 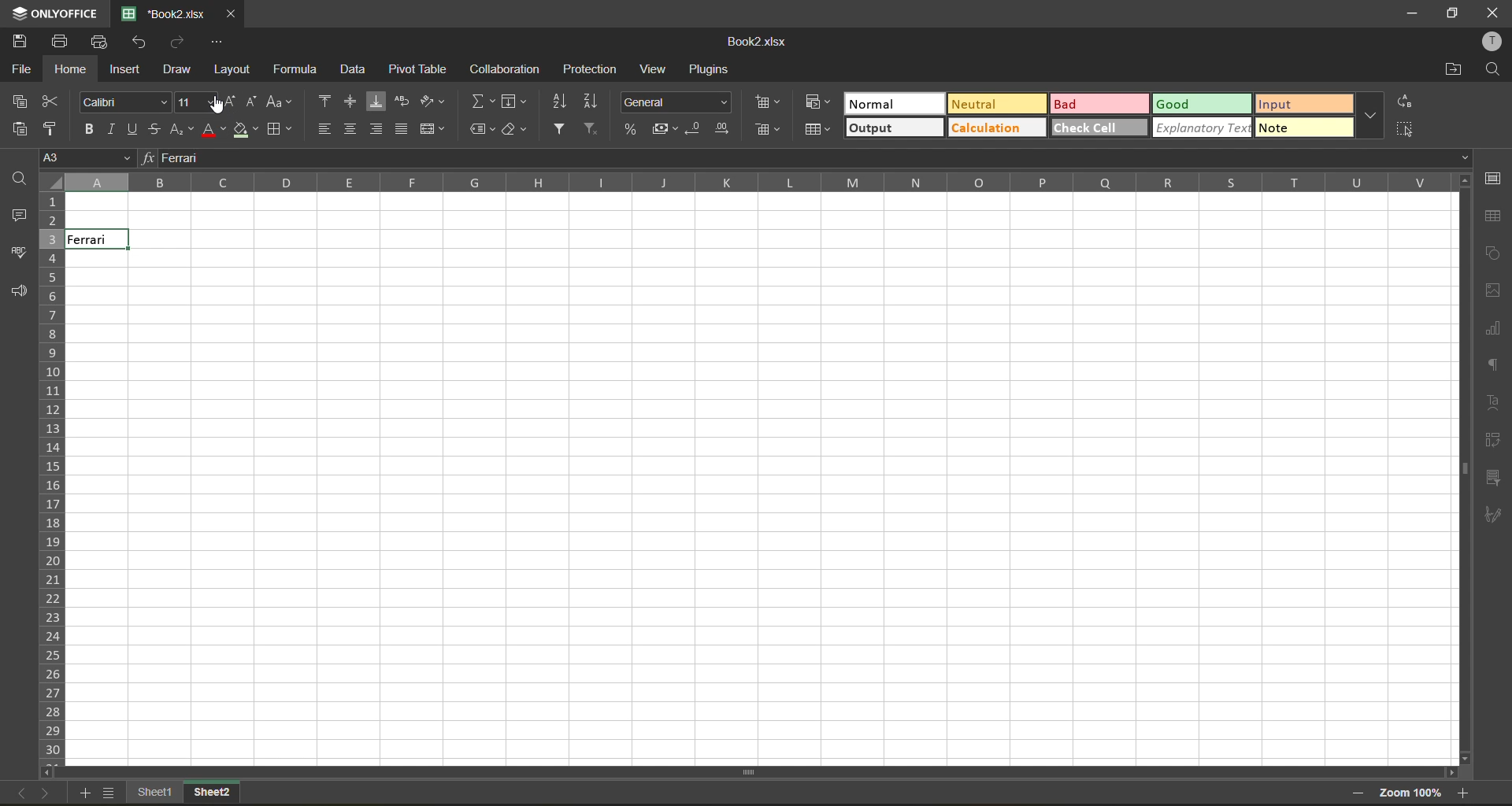 What do you see at coordinates (1453, 70) in the screenshot?
I see `open location` at bounding box center [1453, 70].